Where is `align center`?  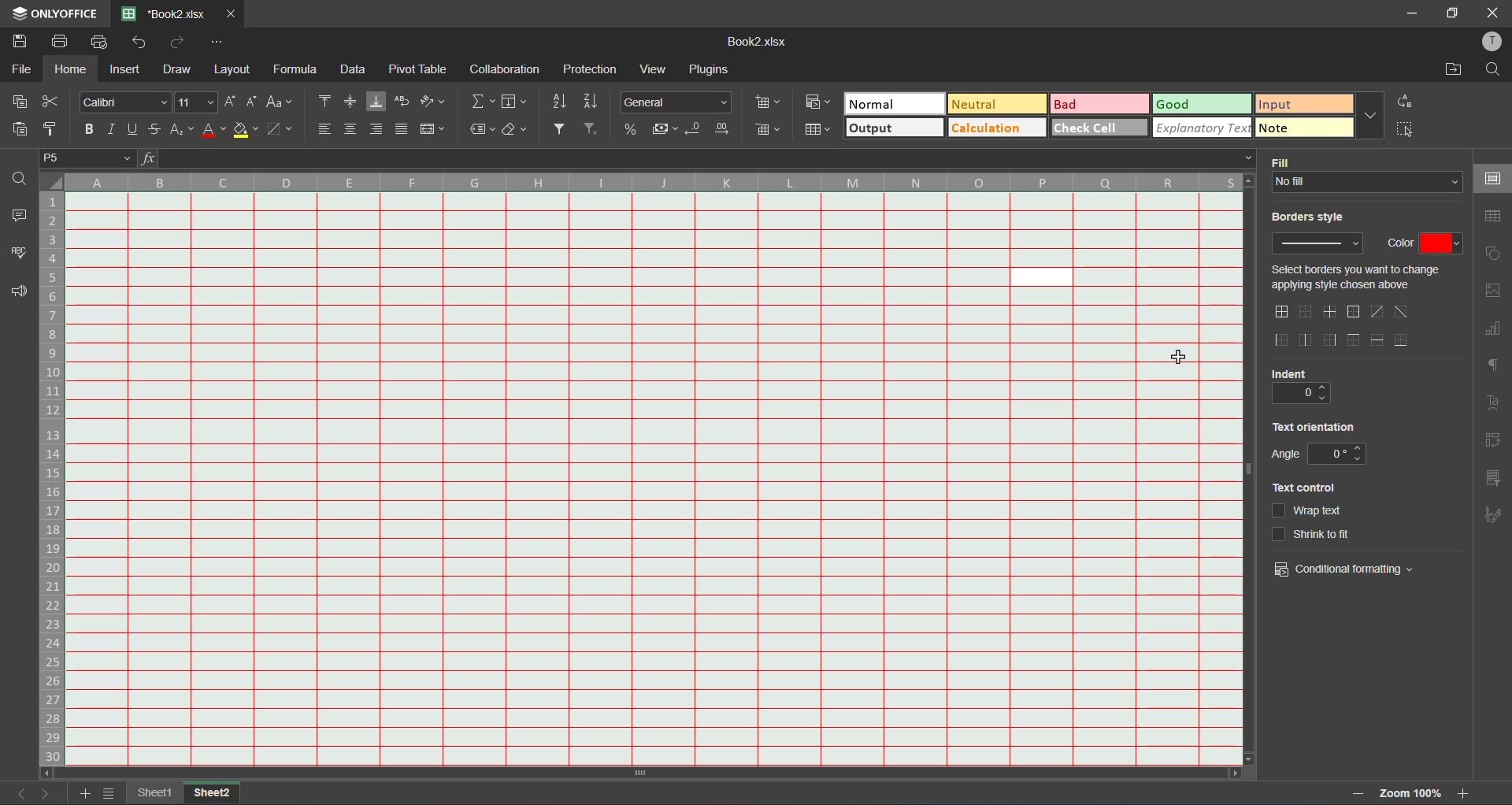 align center is located at coordinates (353, 130).